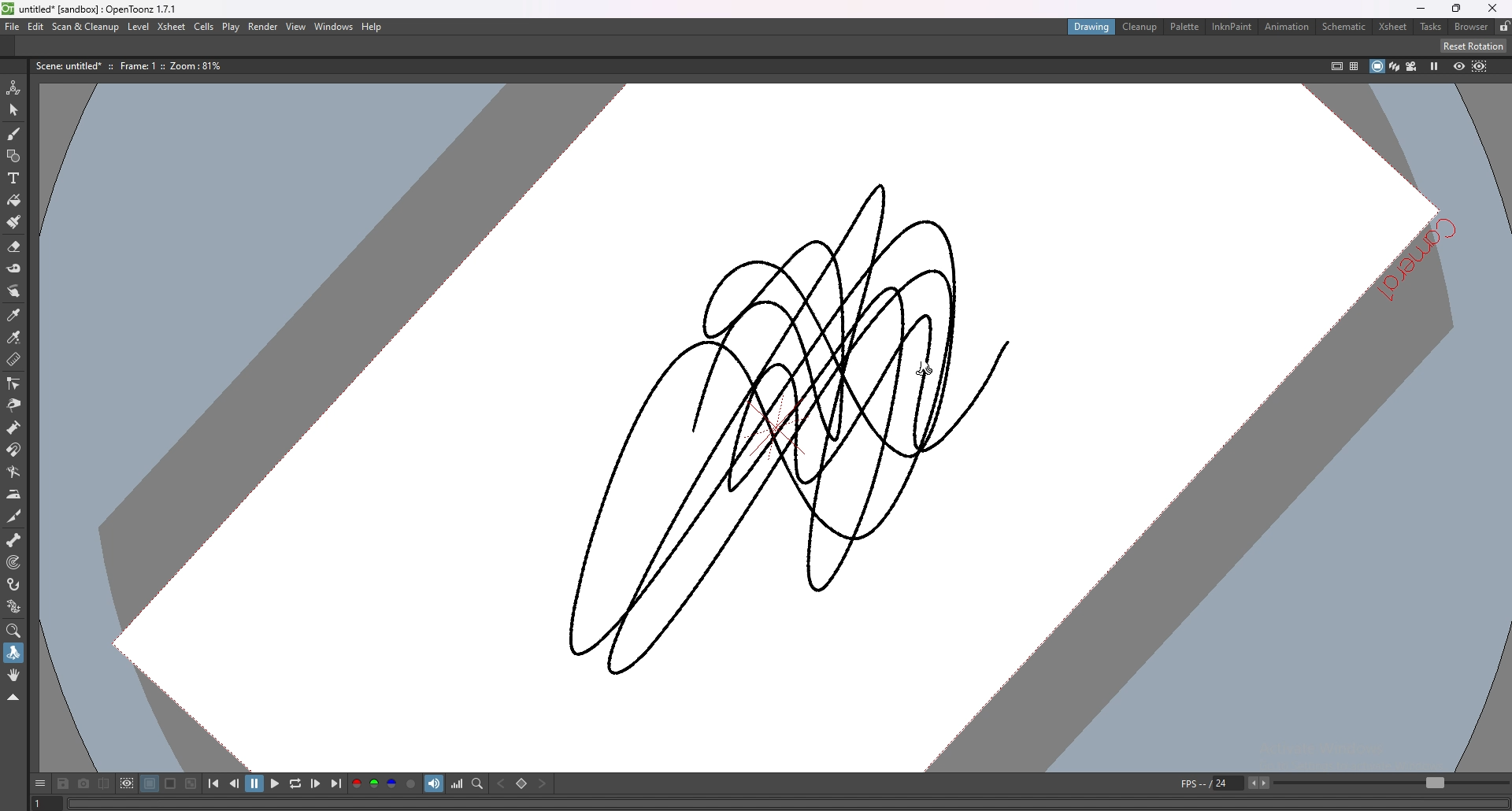 The width and height of the screenshot is (1512, 811). What do you see at coordinates (128, 783) in the screenshot?
I see `define sub camera` at bounding box center [128, 783].